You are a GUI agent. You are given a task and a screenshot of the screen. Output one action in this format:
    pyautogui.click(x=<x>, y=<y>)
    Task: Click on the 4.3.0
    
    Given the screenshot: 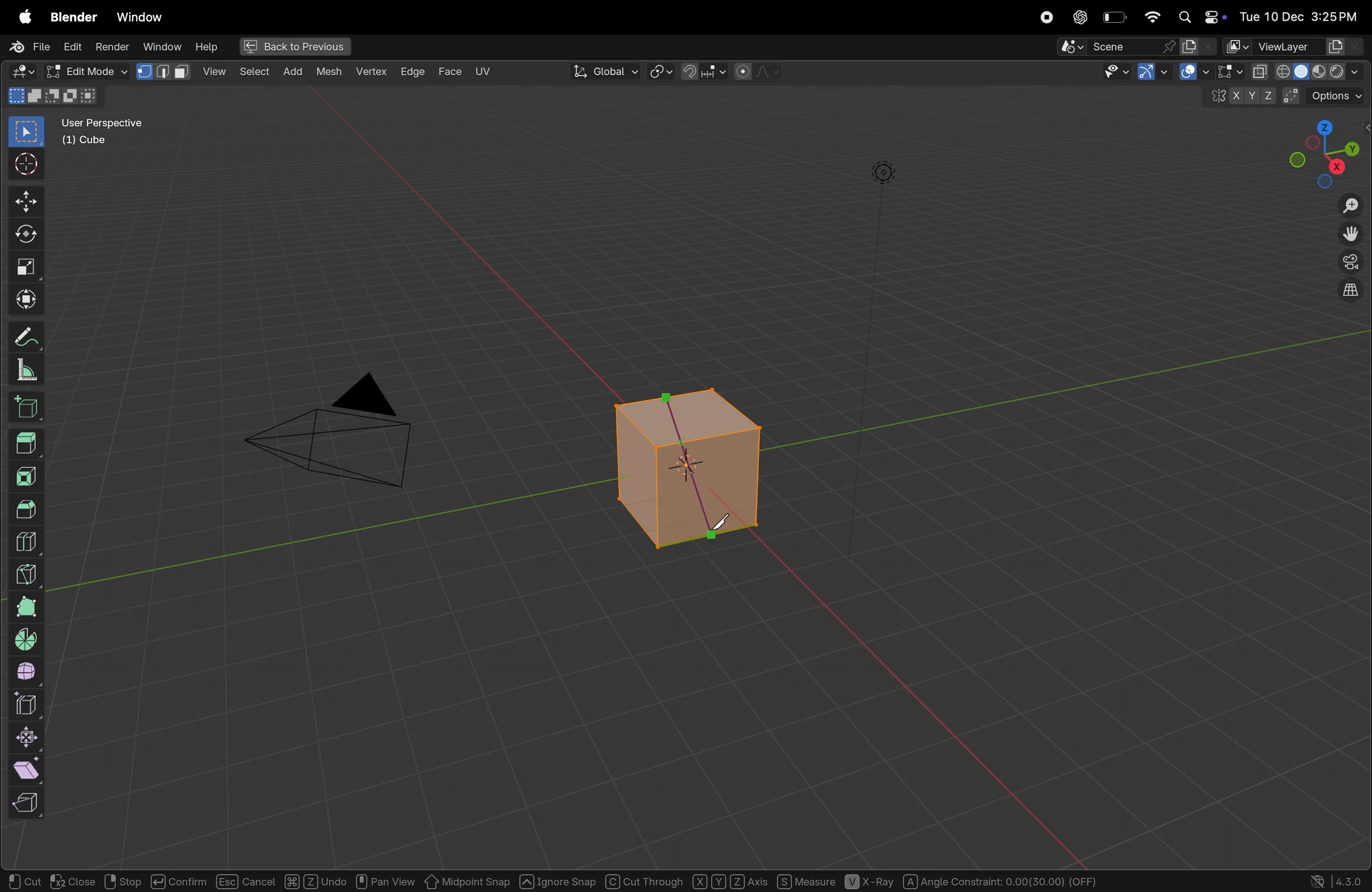 What is the action you would take?
    pyautogui.click(x=1352, y=880)
    